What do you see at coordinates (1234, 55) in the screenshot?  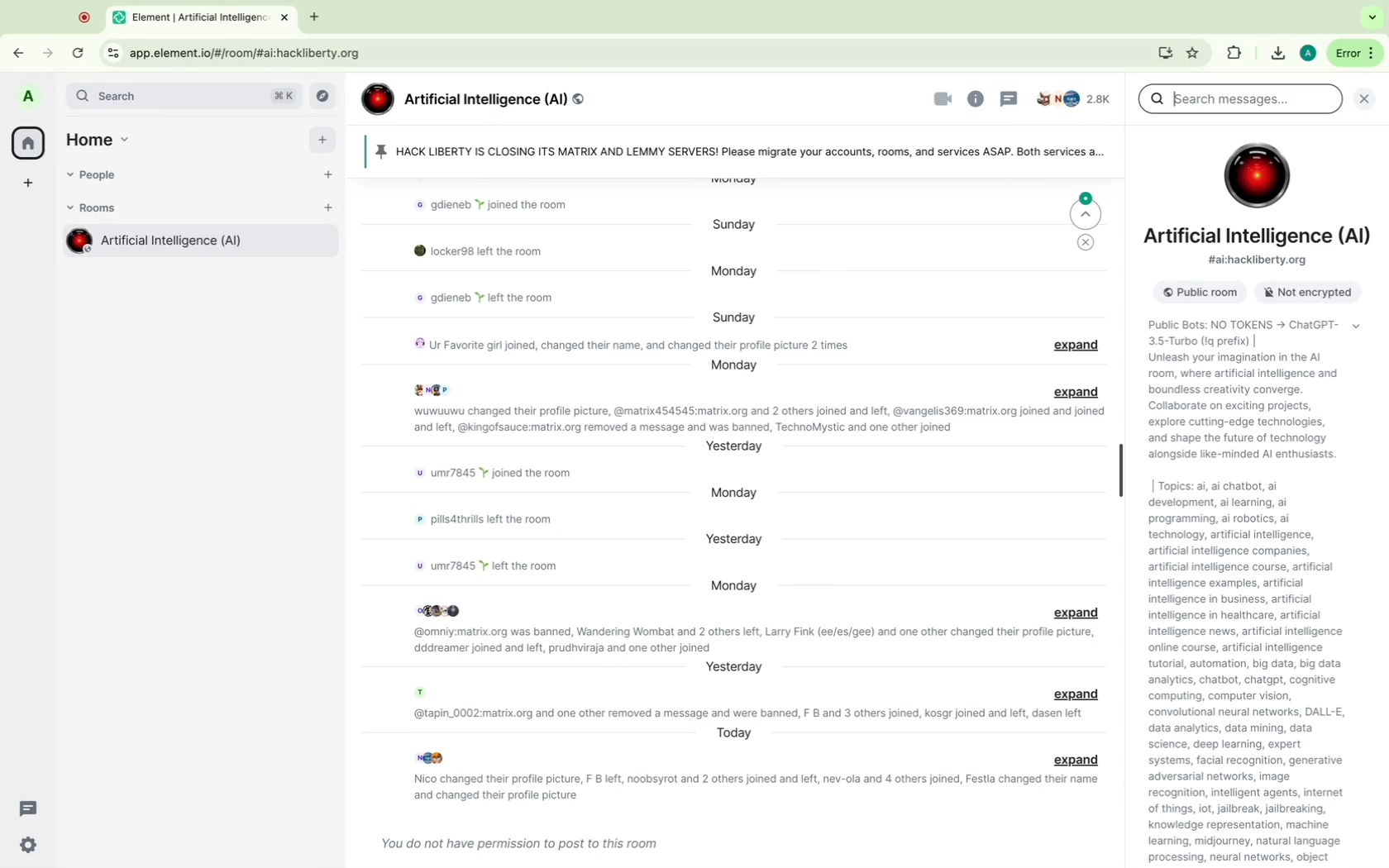 I see `extentions` at bounding box center [1234, 55].